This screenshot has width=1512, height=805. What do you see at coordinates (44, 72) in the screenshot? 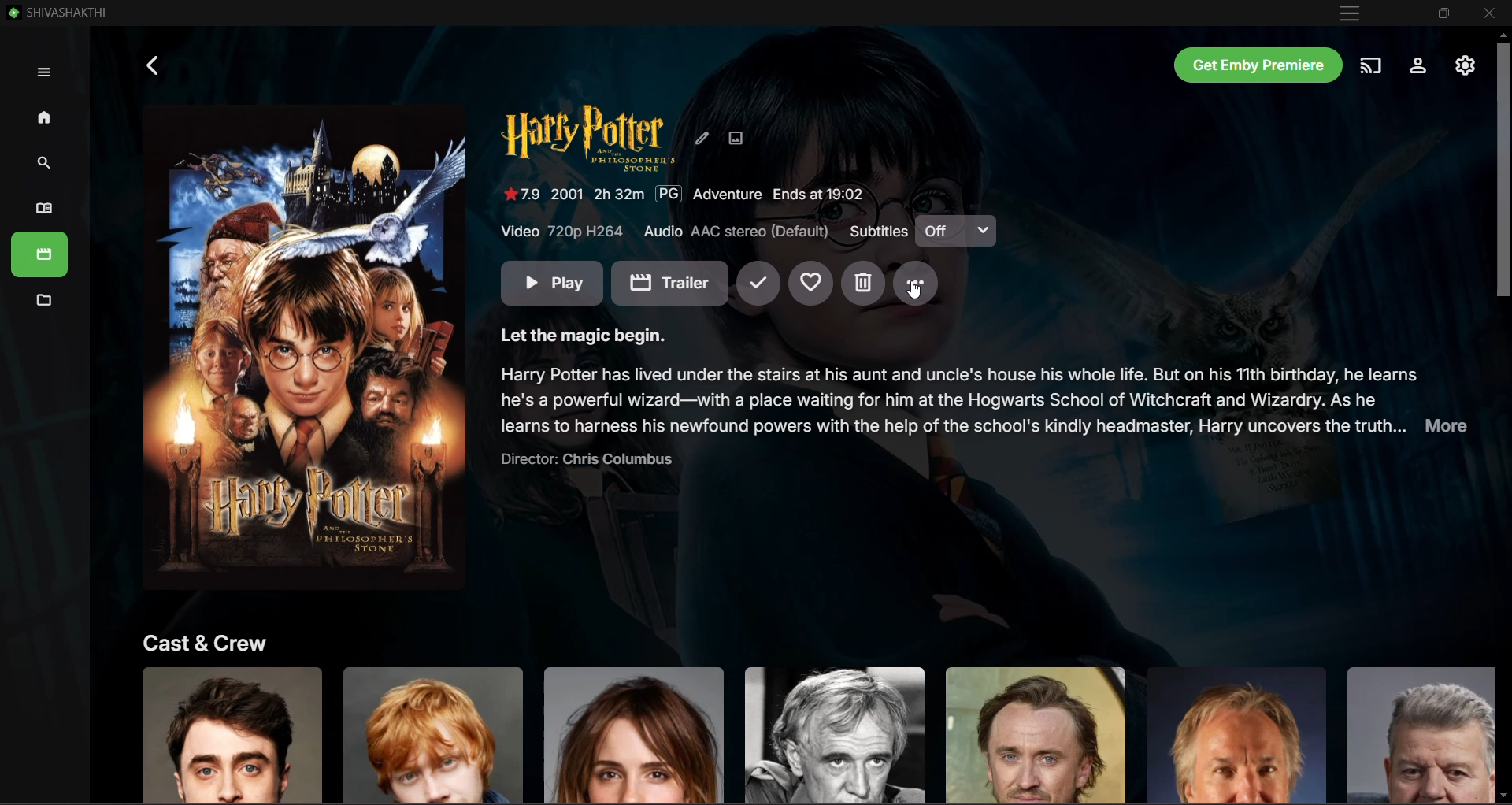
I see `Expand` at bounding box center [44, 72].